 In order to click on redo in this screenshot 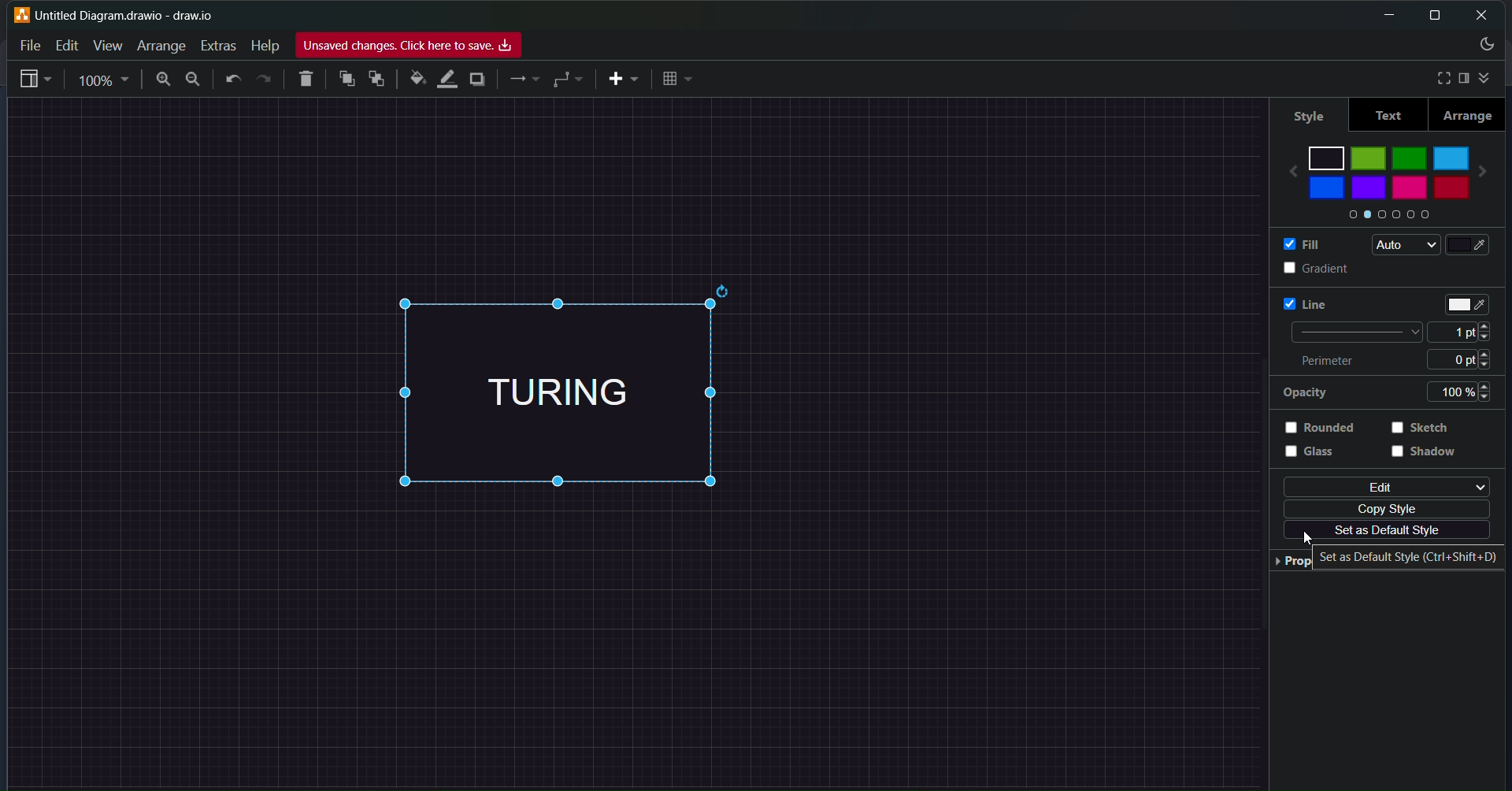, I will do `click(265, 79)`.